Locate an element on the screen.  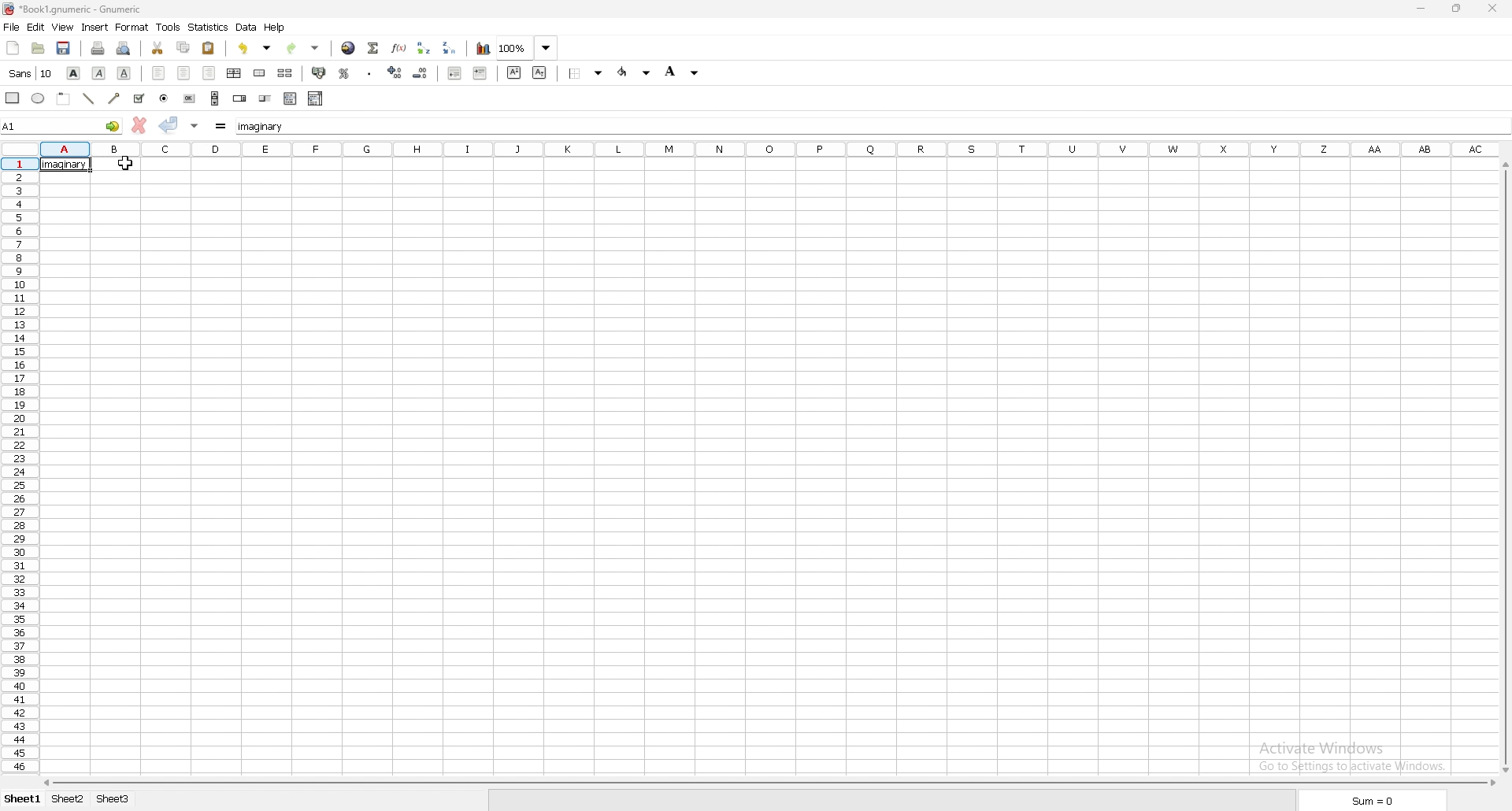
sum is located at coordinates (1373, 802).